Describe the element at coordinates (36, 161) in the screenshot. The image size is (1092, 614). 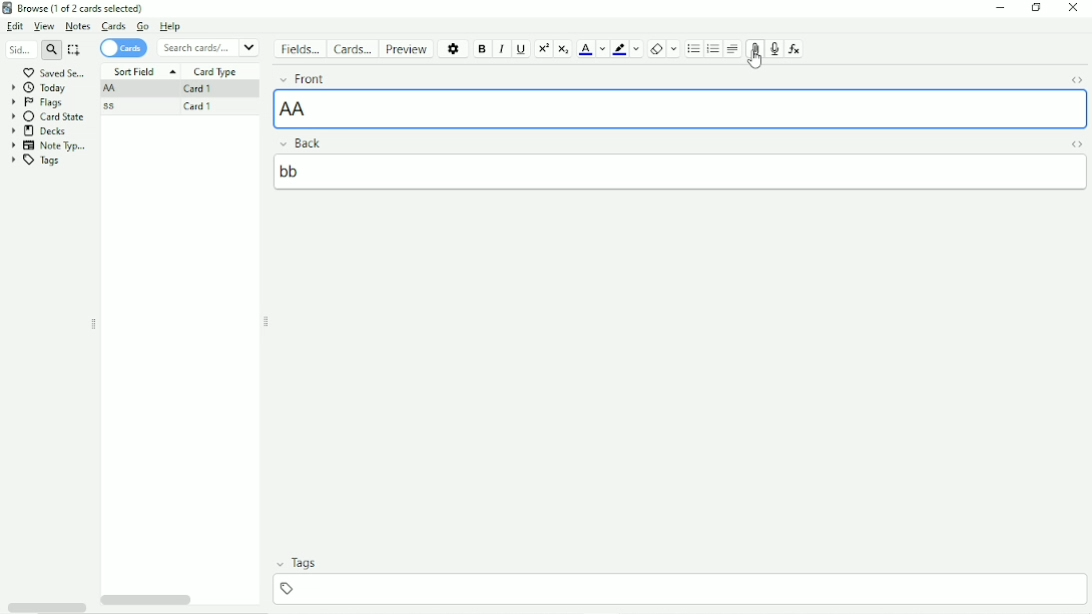
I see `Tags` at that location.